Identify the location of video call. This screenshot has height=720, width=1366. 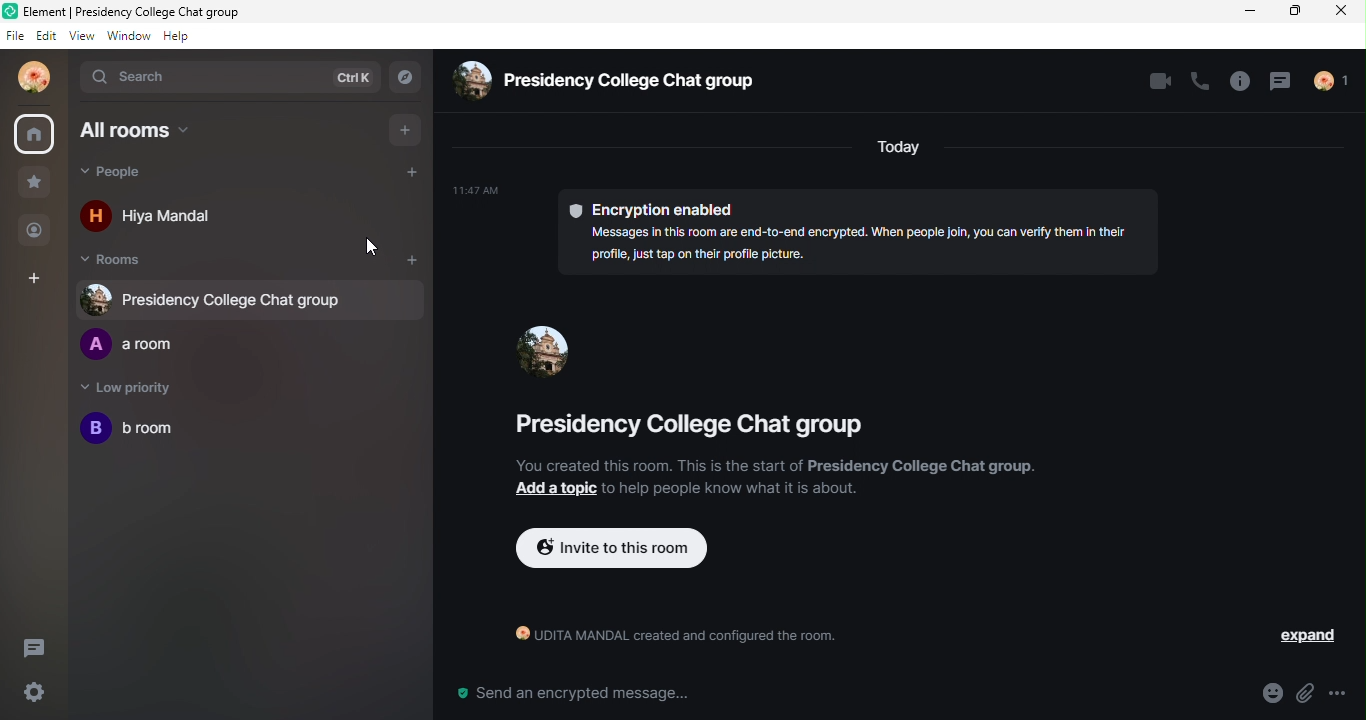
(1155, 83).